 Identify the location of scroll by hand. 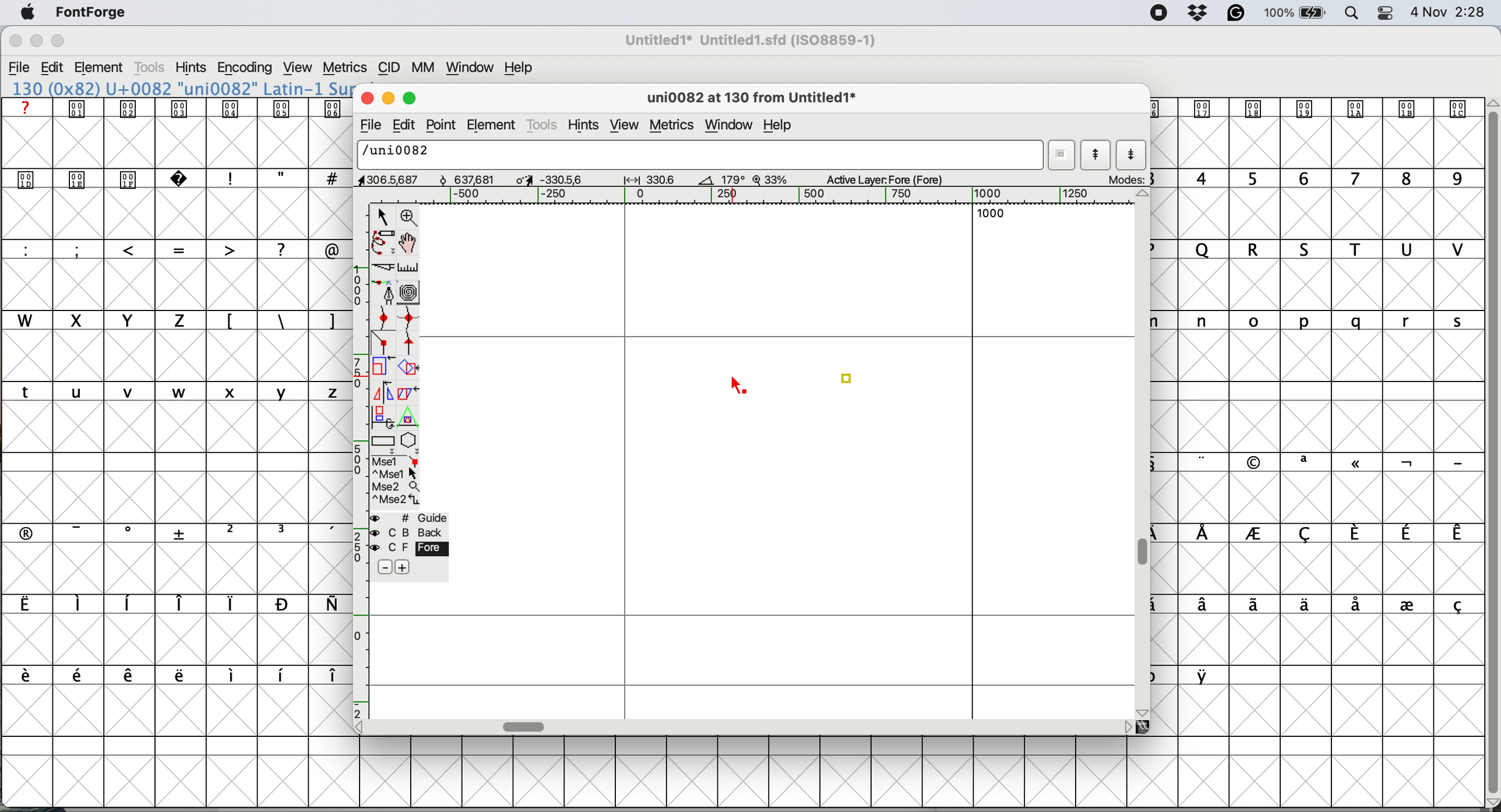
(410, 243).